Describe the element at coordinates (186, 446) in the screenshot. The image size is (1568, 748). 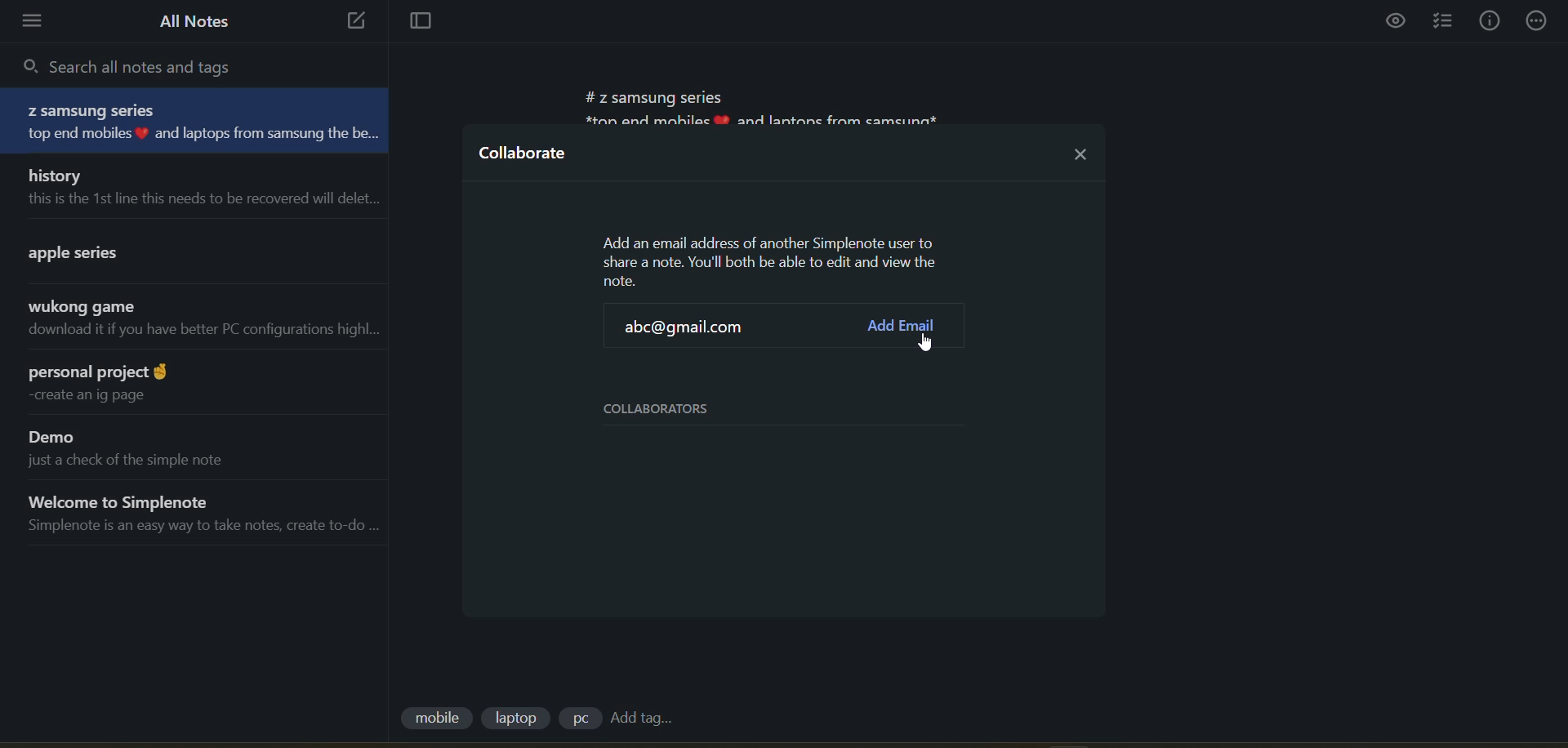
I see `note title and preview` at that location.